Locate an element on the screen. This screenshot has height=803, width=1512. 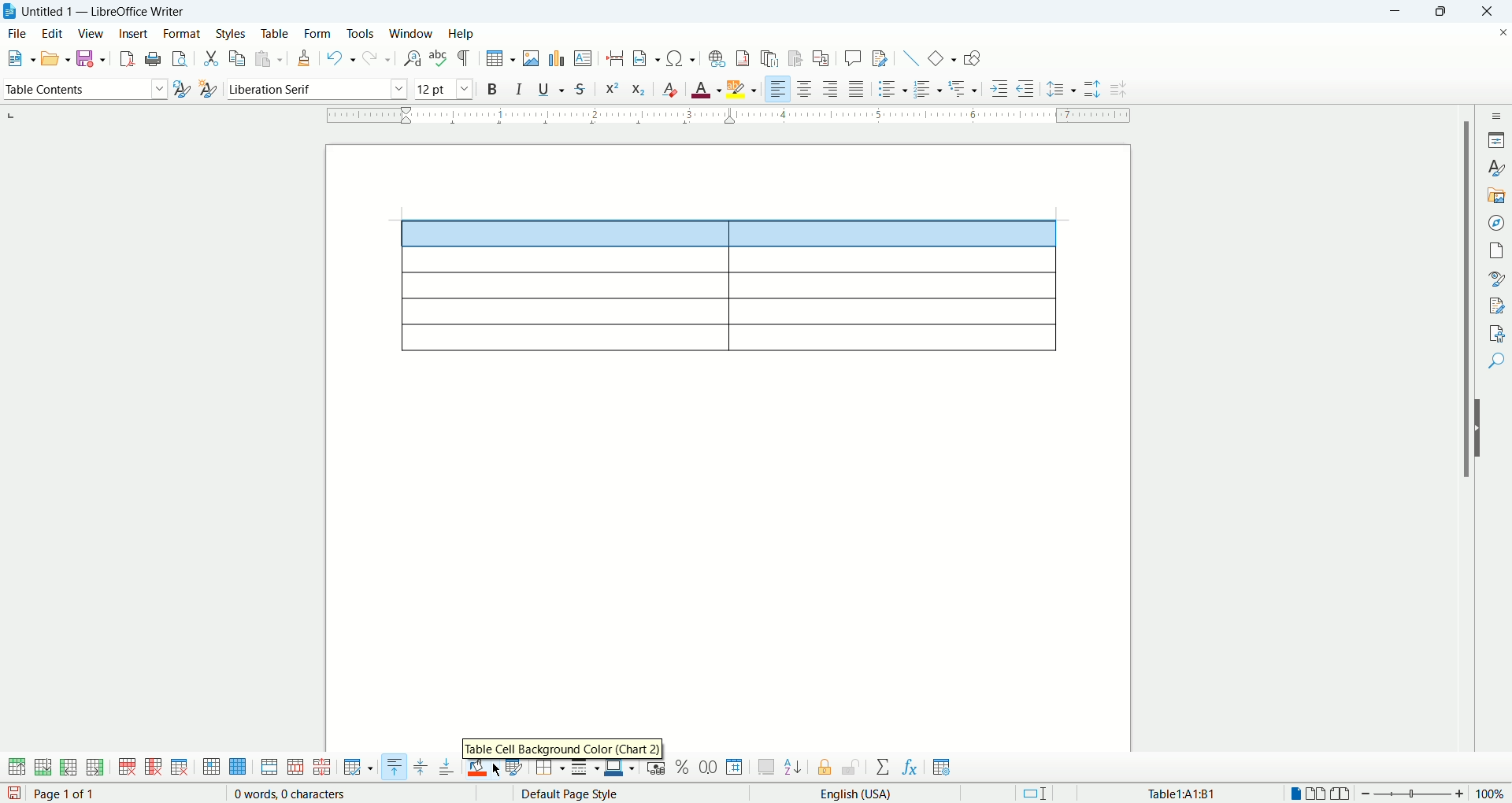
insert cross references is located at coordinates (823, 59).